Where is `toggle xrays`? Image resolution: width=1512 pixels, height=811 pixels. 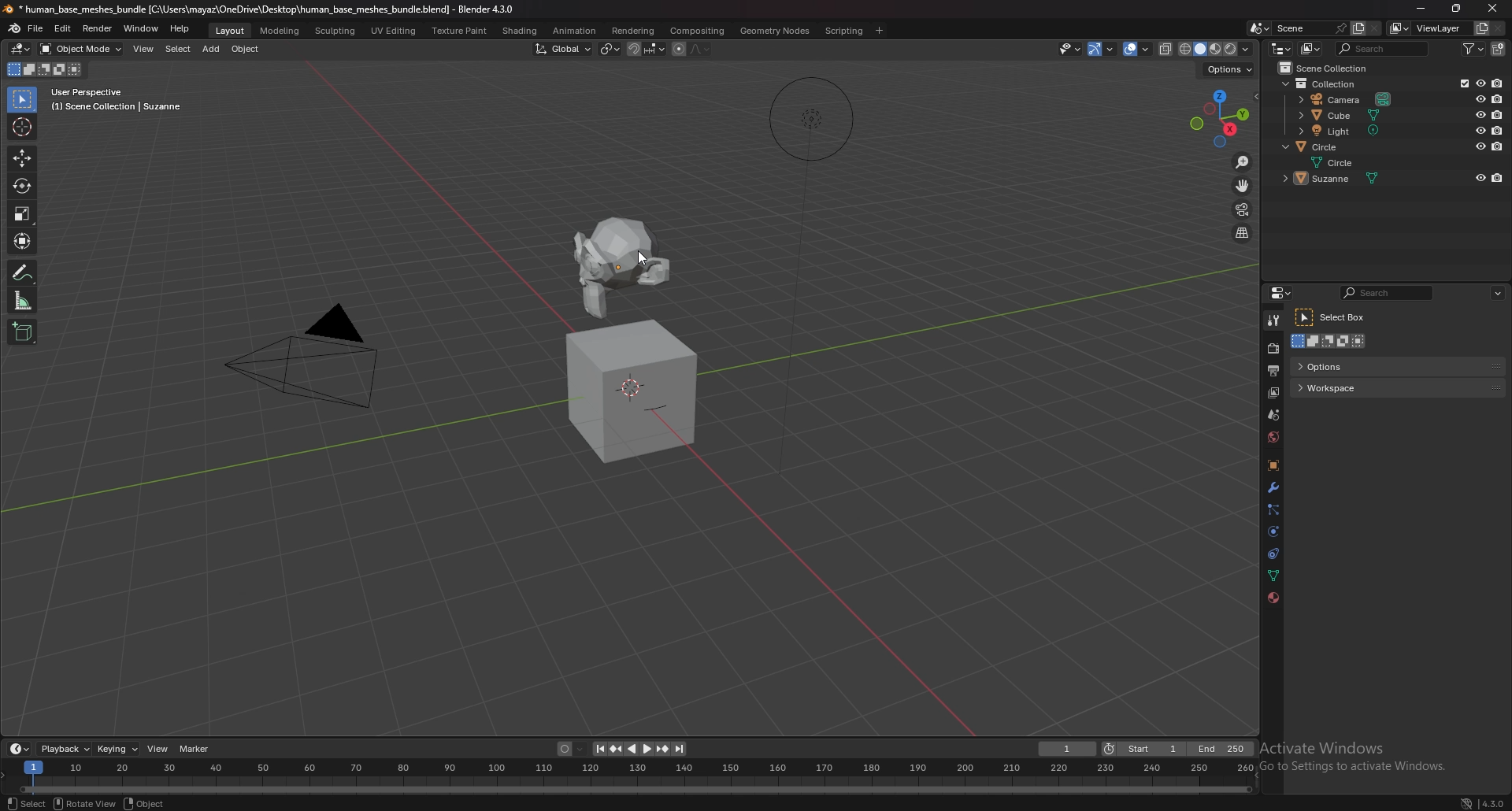
toggle xrays is located at coordinates (1166, 48).